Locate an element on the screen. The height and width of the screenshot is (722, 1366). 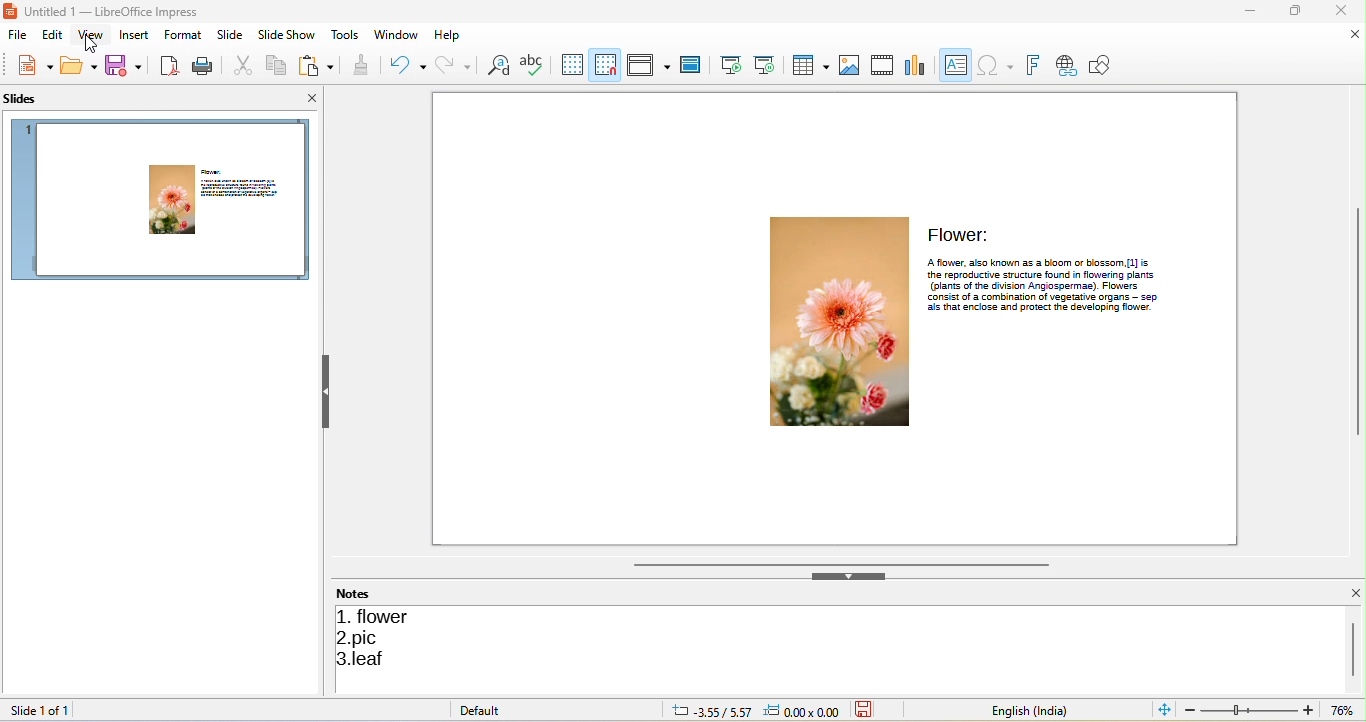
file is located at coordinates (15, 36).